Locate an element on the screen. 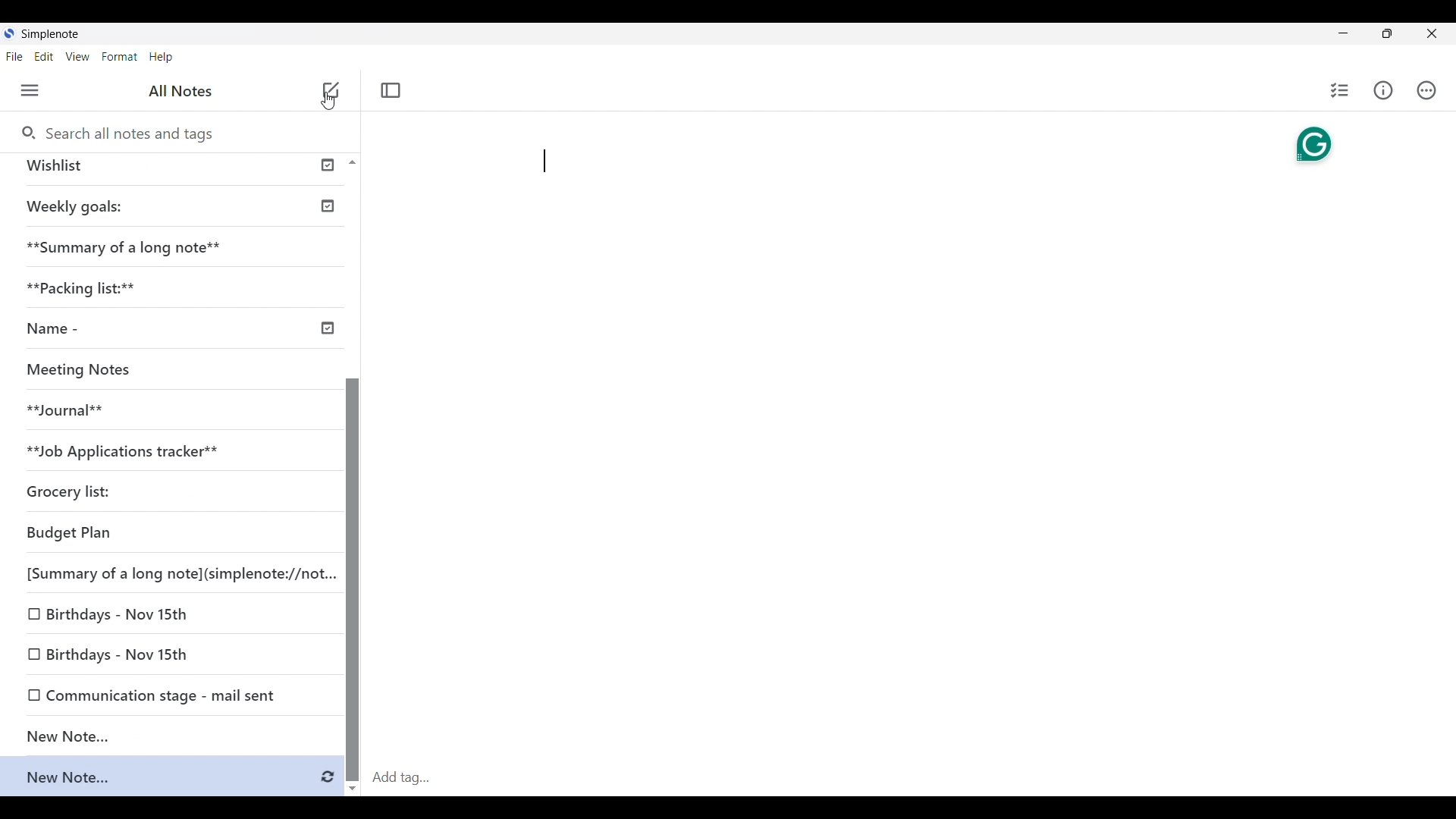 The width and height of the screenshot is (1456, 819). New note is located at coordinates (168, 735).